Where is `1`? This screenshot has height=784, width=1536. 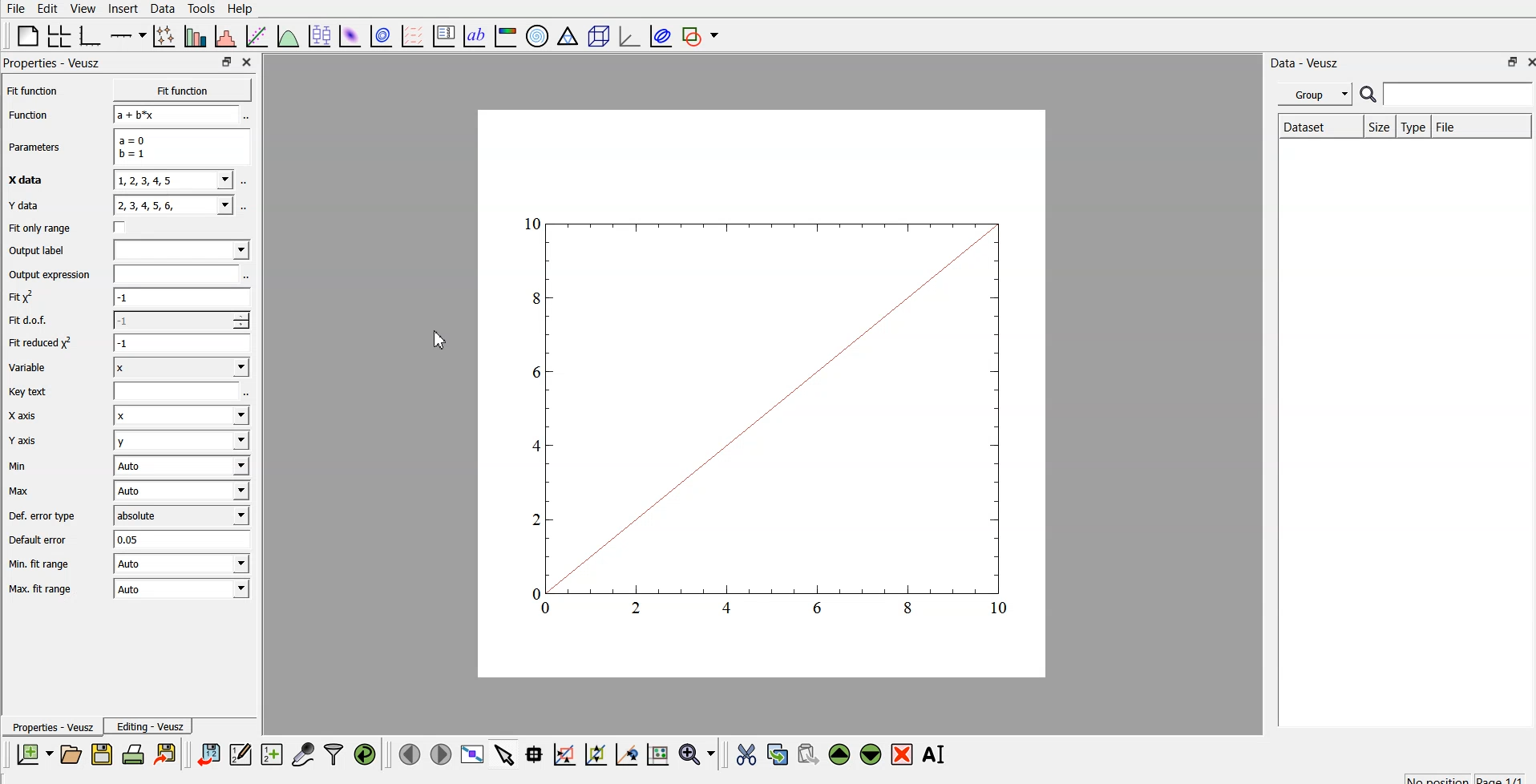 1 is located at coordinates (180, 345).